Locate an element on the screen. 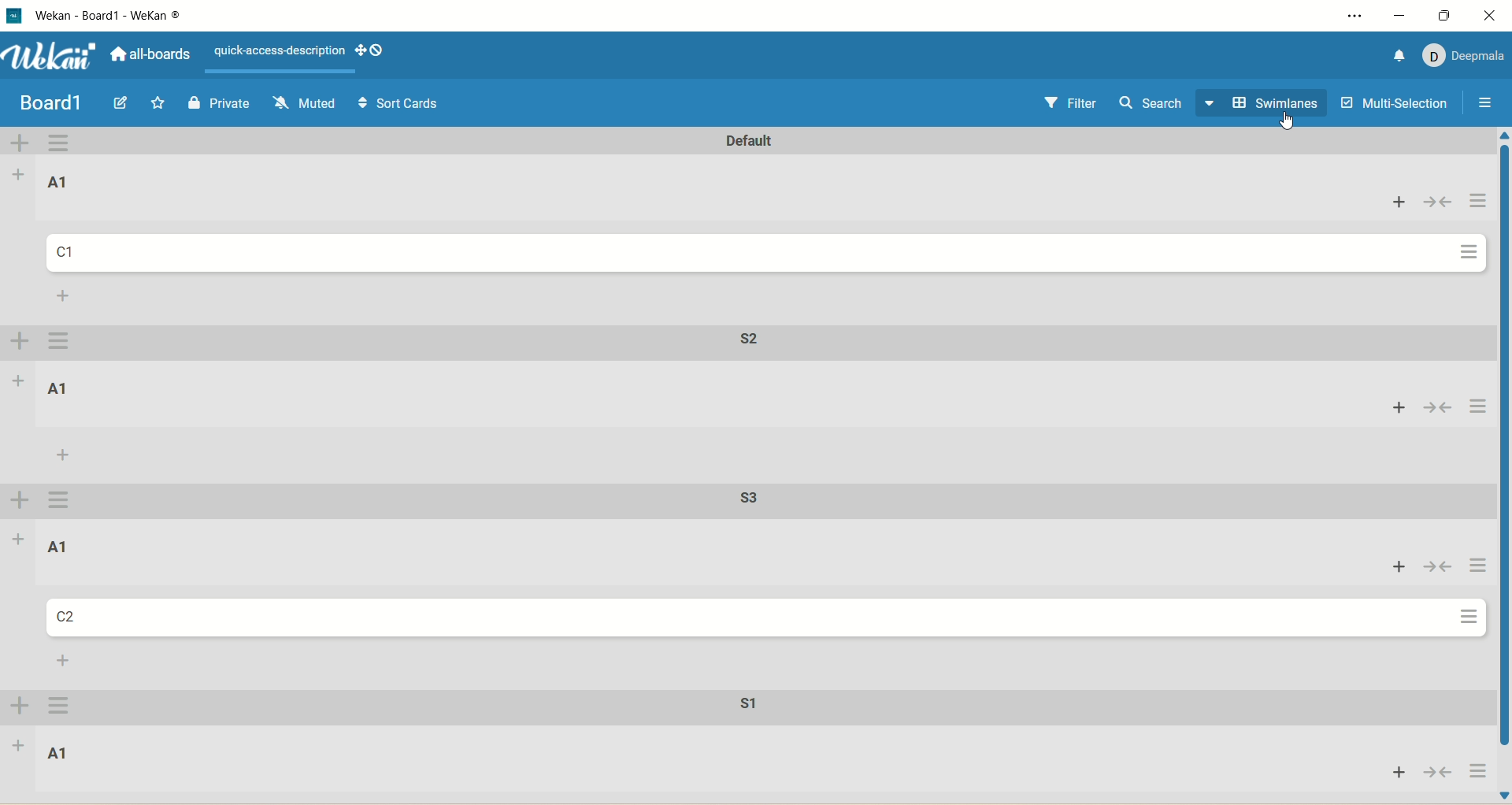 This screenshot has height=805, width=1512. card title is located at coordinates (74, 254).